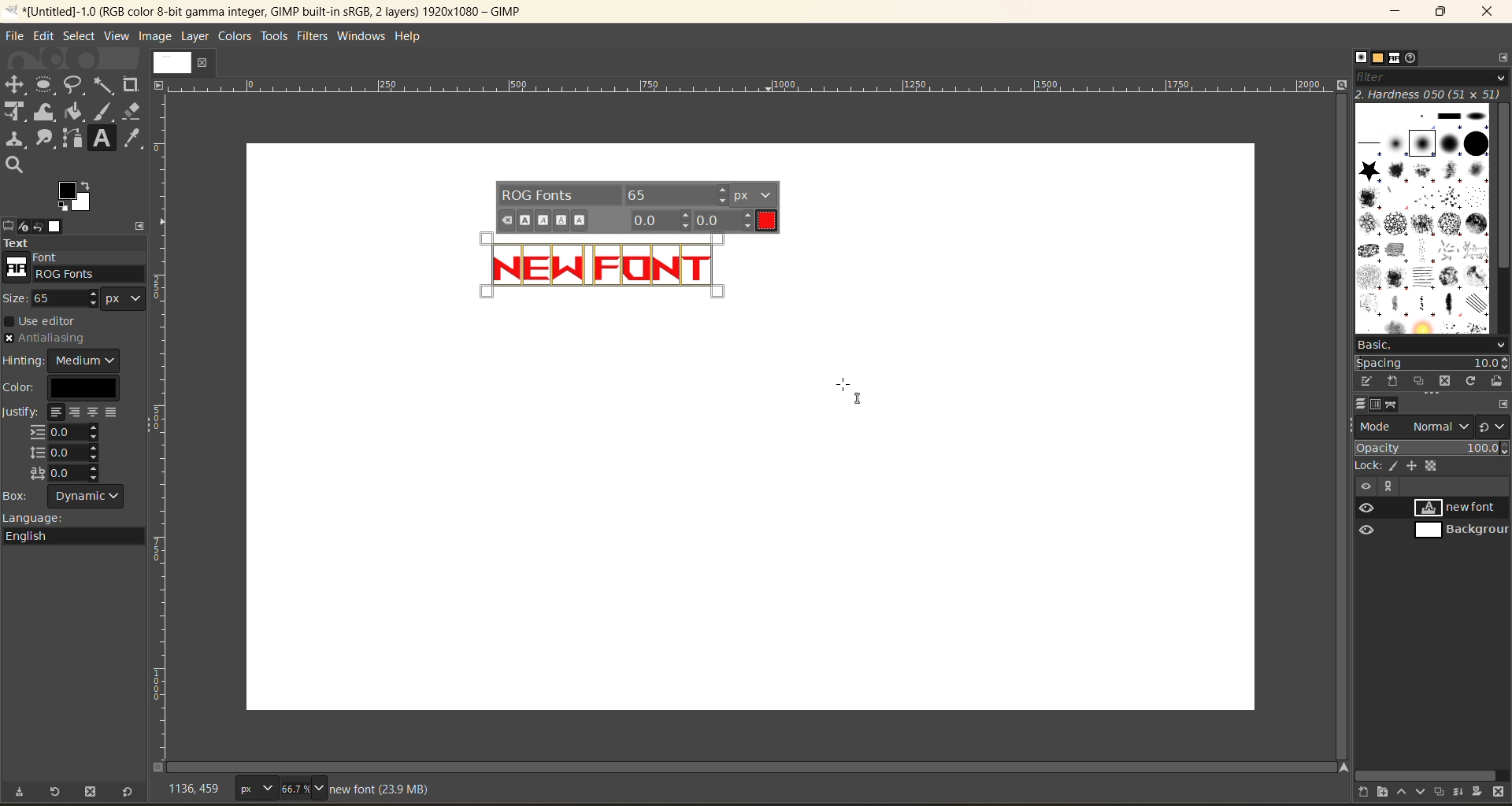  What do you see at coordinates (1431, 94) in the screenshot?
I see `hardness` at bounding box center [1431, 94].